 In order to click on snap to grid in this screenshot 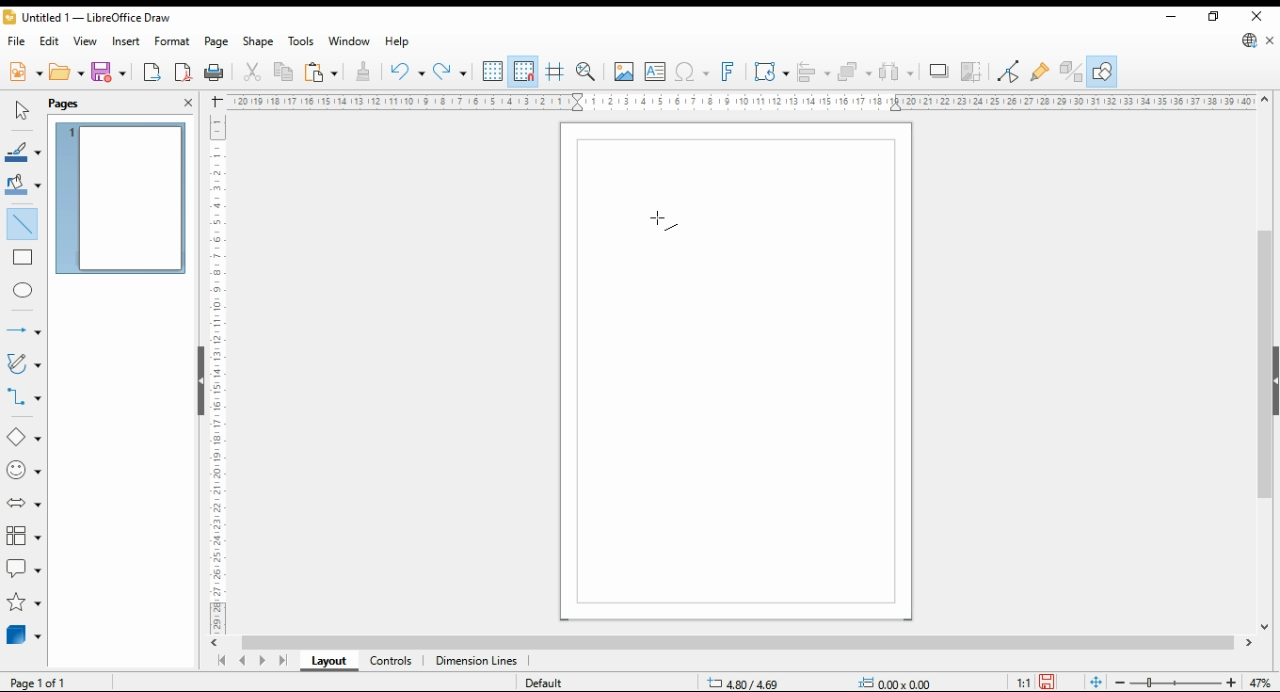, I will do `click(523, 72)`.